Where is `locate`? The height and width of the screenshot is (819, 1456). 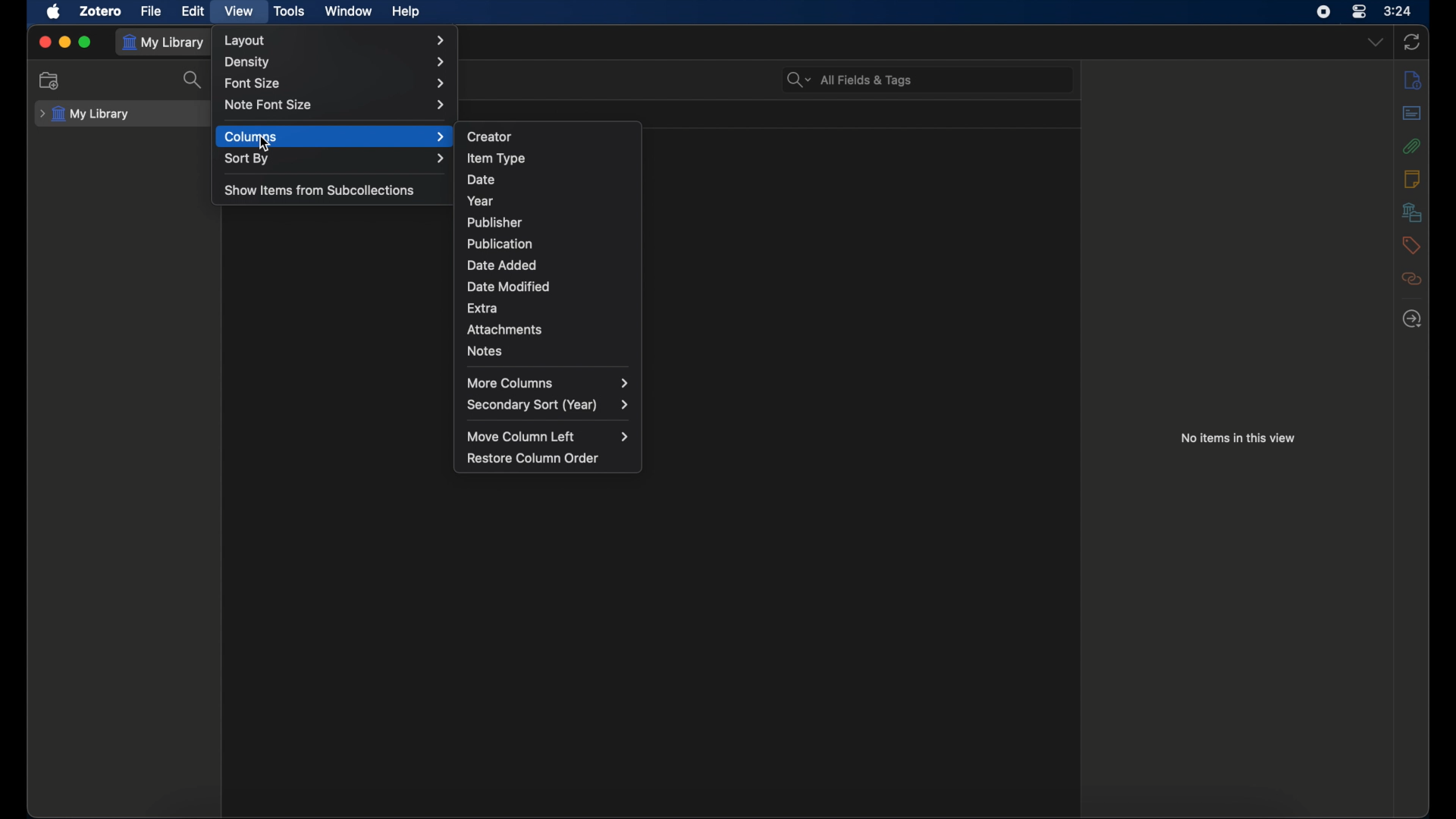
locate is located at coordinates (1410, 319).